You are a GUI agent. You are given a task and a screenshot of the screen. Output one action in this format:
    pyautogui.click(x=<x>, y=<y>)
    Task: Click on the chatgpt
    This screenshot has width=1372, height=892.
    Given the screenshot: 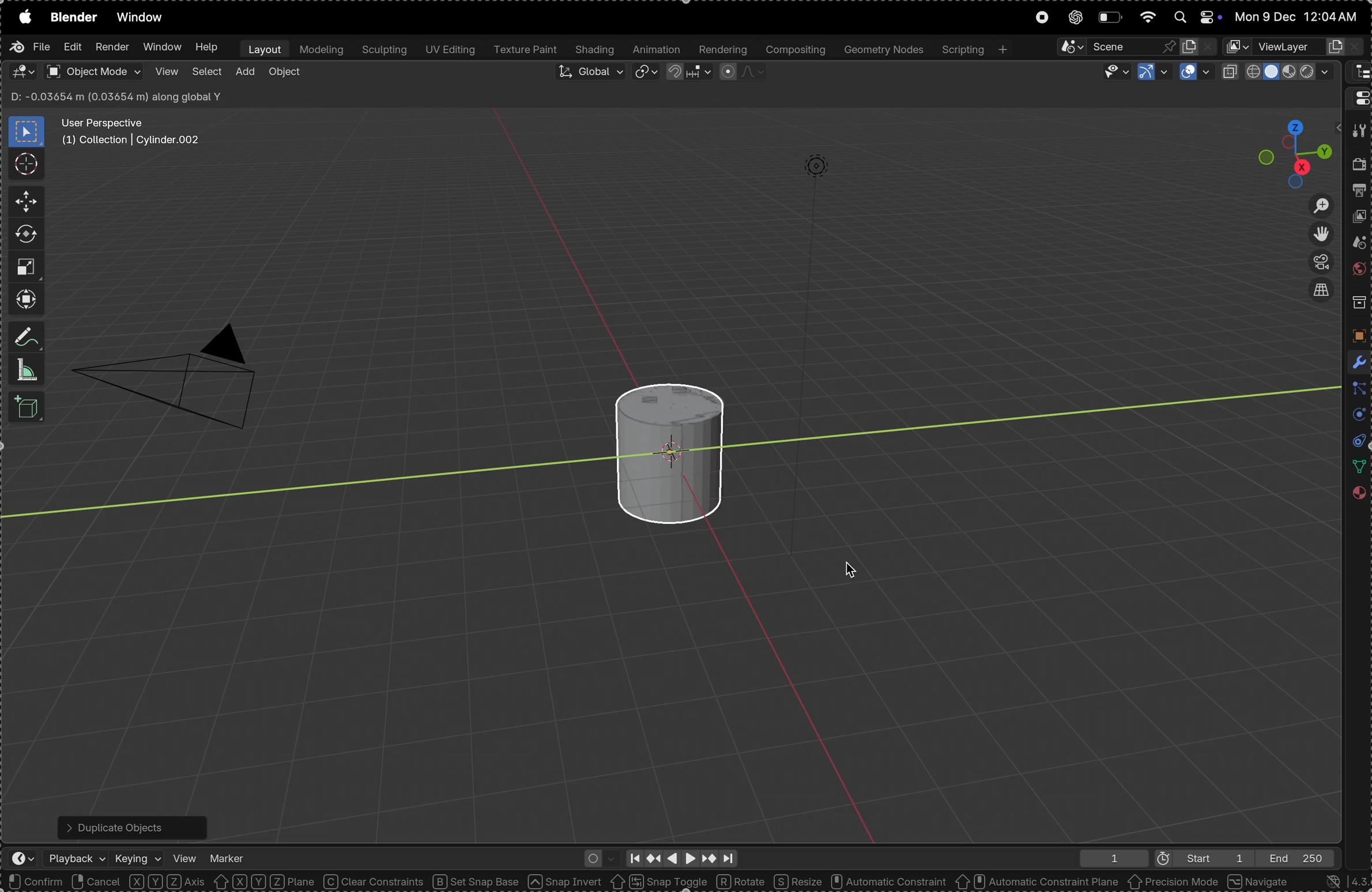 What is the action you would take?
    pyautogui.click(x=1072, y=18)
    